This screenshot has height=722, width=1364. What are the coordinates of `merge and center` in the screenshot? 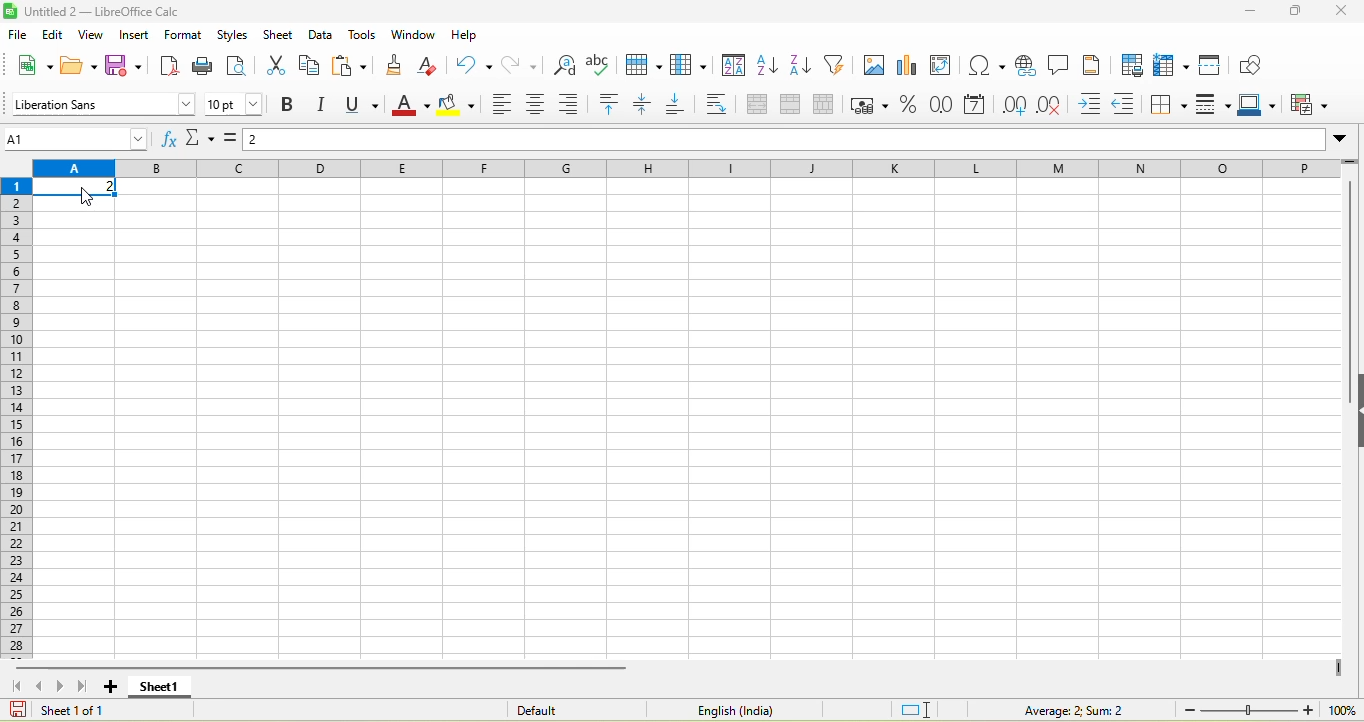 It's located at (764, 106).